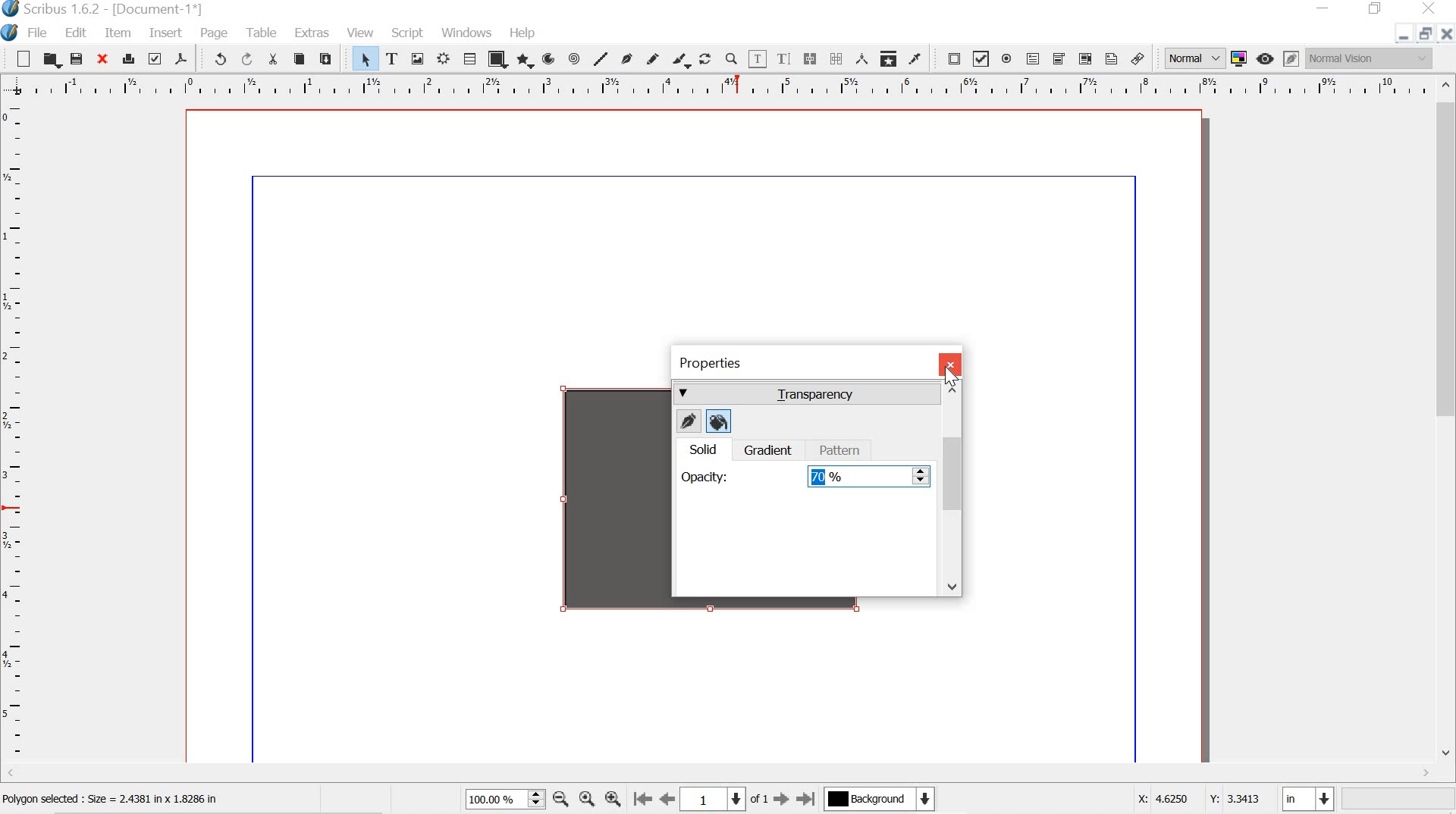 This screenshot has width=1456, height=814. Describe the element at coordinates (666, 800) in the screenshot. I see `go to previous page` at that location.